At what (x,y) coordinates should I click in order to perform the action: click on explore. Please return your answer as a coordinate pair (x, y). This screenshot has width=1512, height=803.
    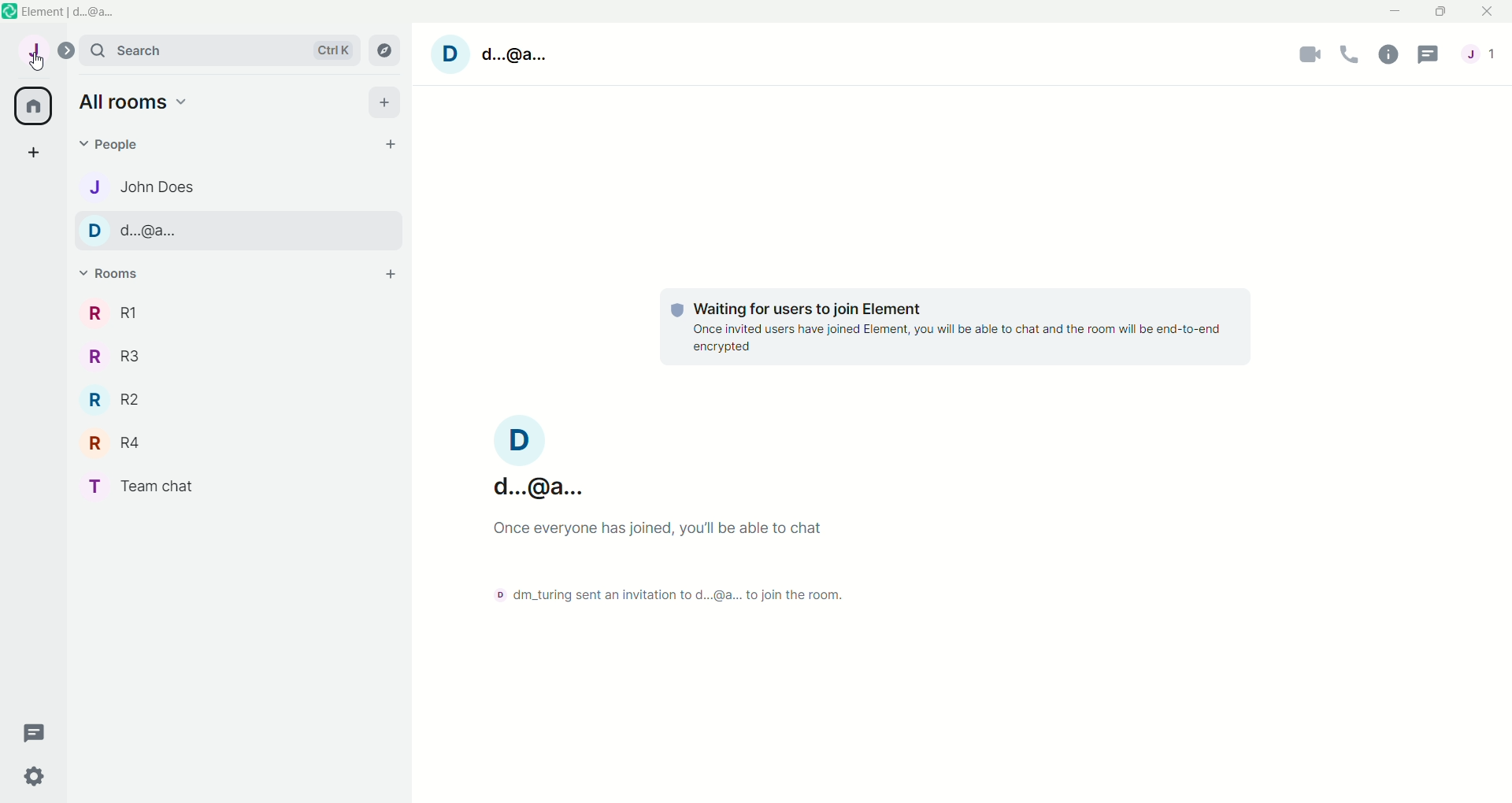
    Looking at the image, I should click on (385, 50).